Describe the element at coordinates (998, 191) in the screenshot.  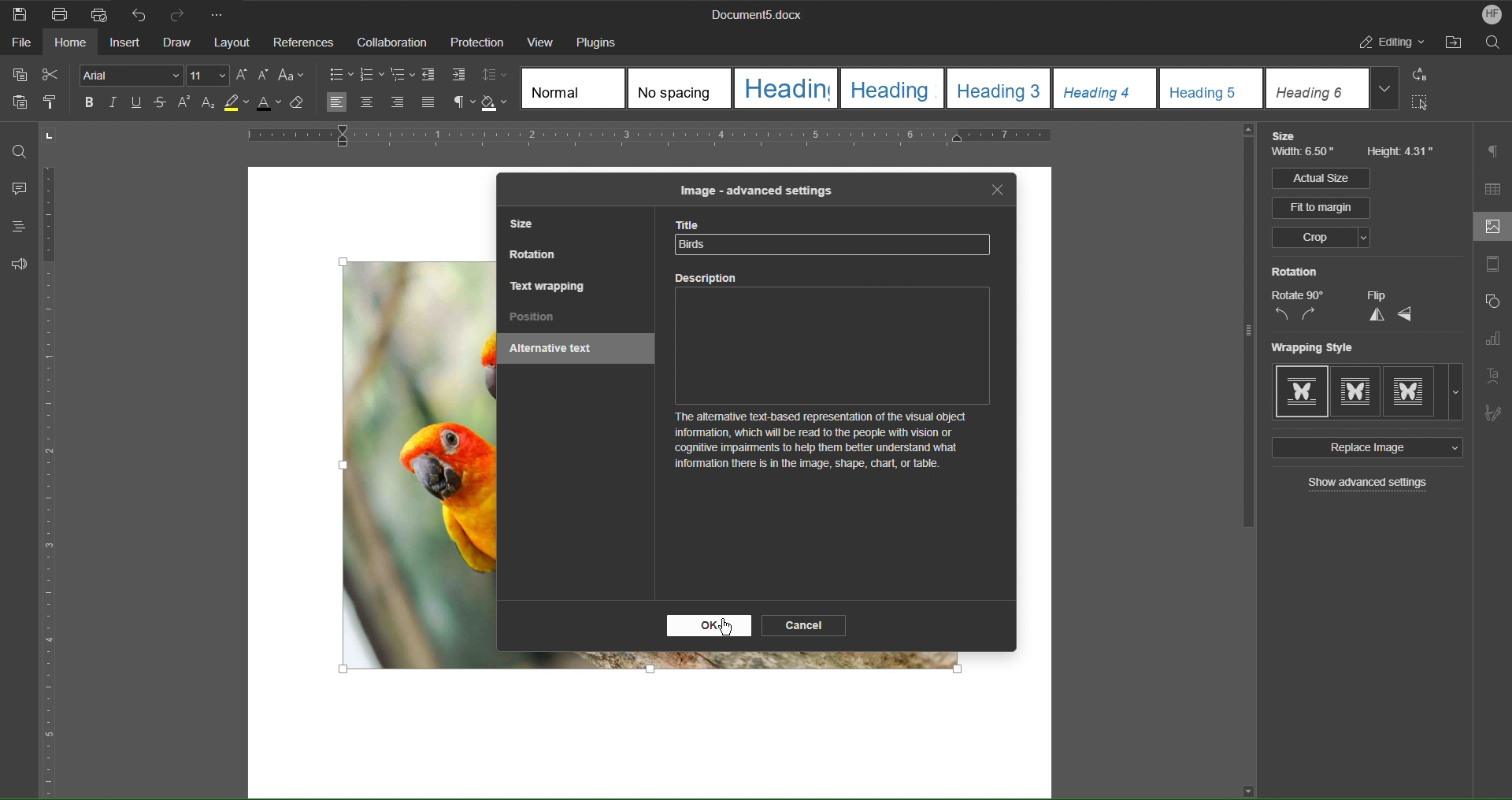
I see `Close` at that location.